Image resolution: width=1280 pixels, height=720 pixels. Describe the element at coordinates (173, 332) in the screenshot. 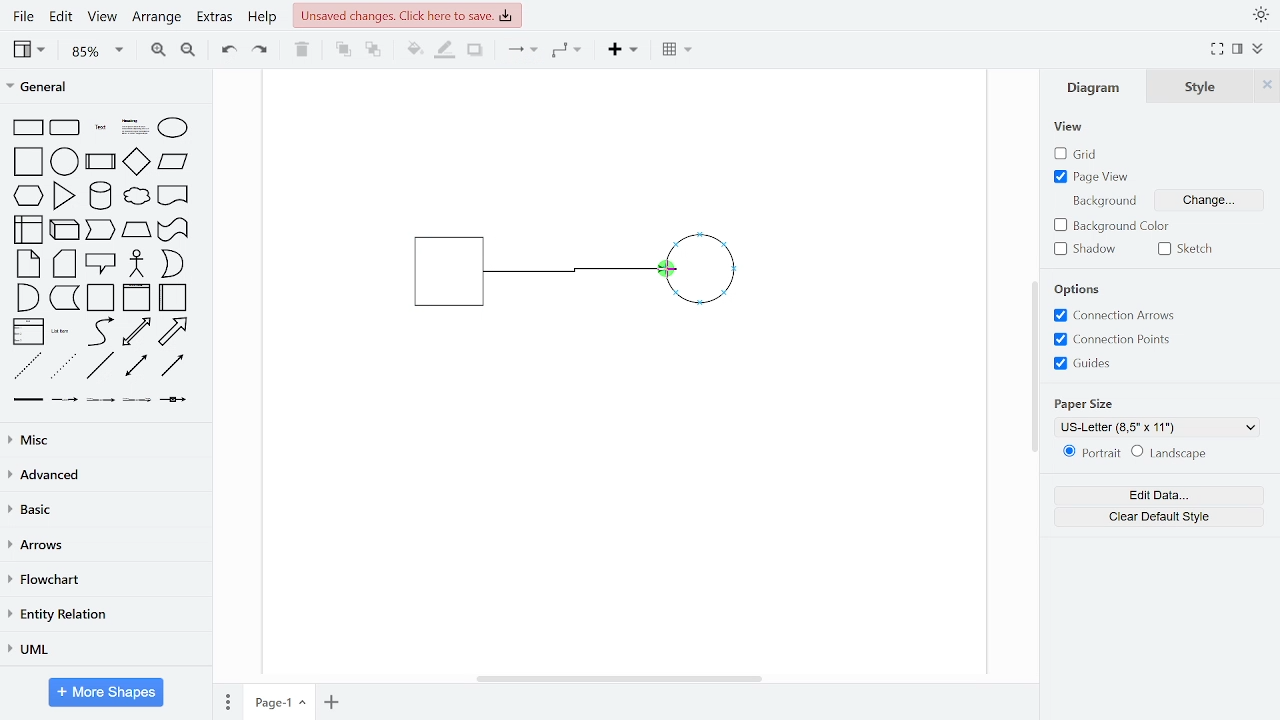

I see `arrow` at that location.